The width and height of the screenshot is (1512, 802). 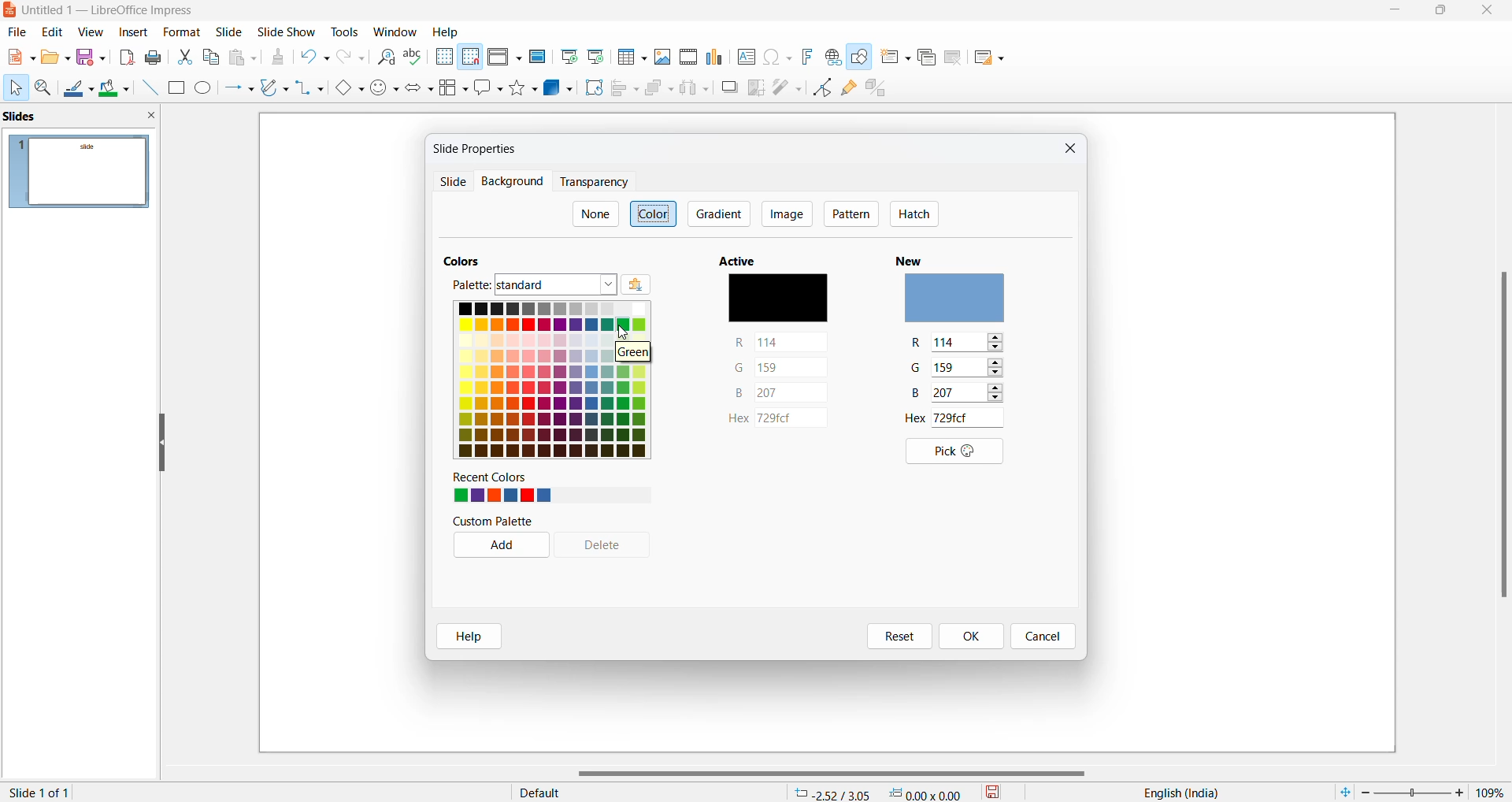 What do you see at coordinates (504, 477) in the screenshot?
I see `recent color` at bounding box center [504, 477].